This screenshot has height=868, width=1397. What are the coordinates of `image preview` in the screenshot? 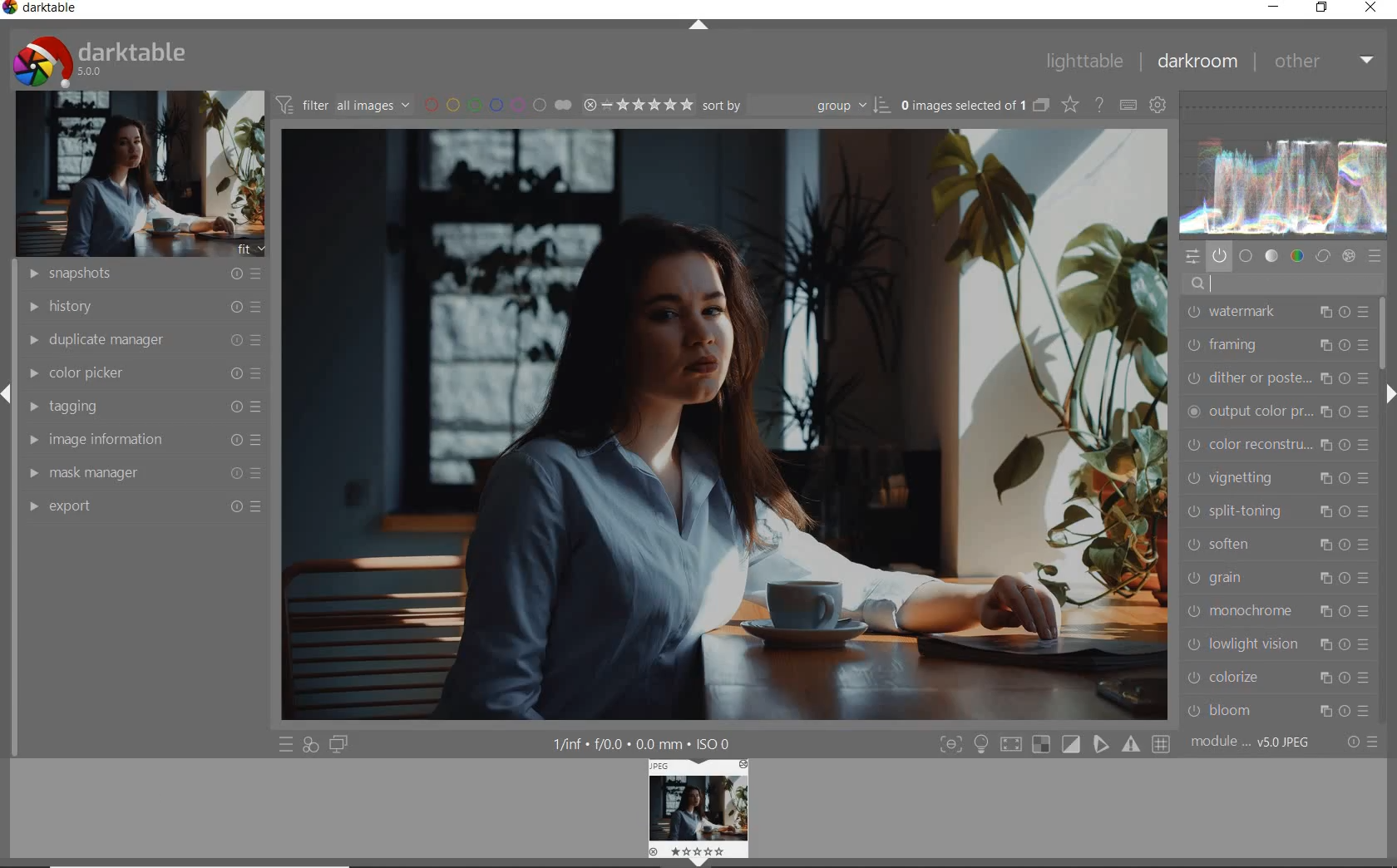 It's located at (699, 813).